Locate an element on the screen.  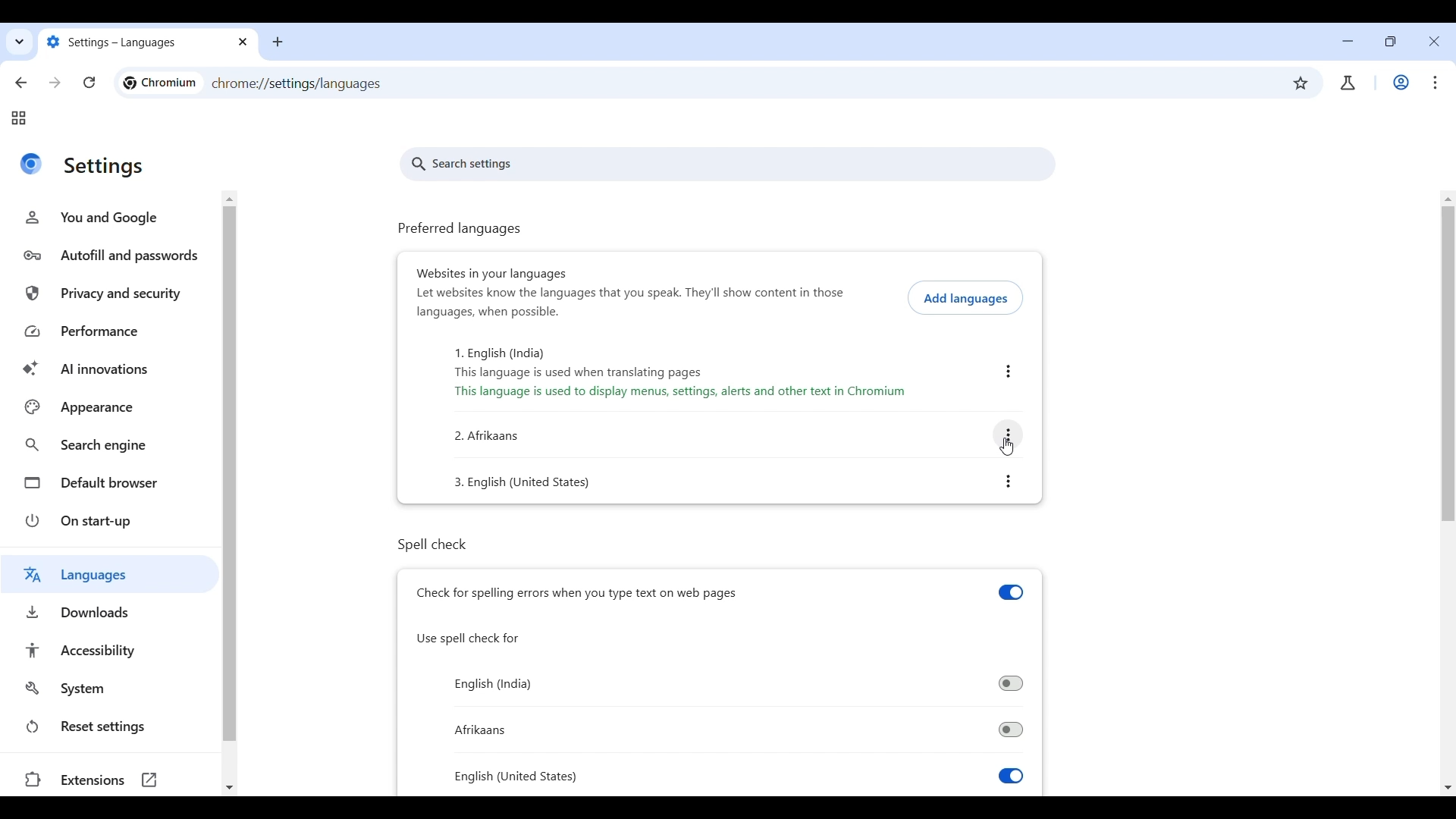
Close interface is located at coordinates (1435, 42).